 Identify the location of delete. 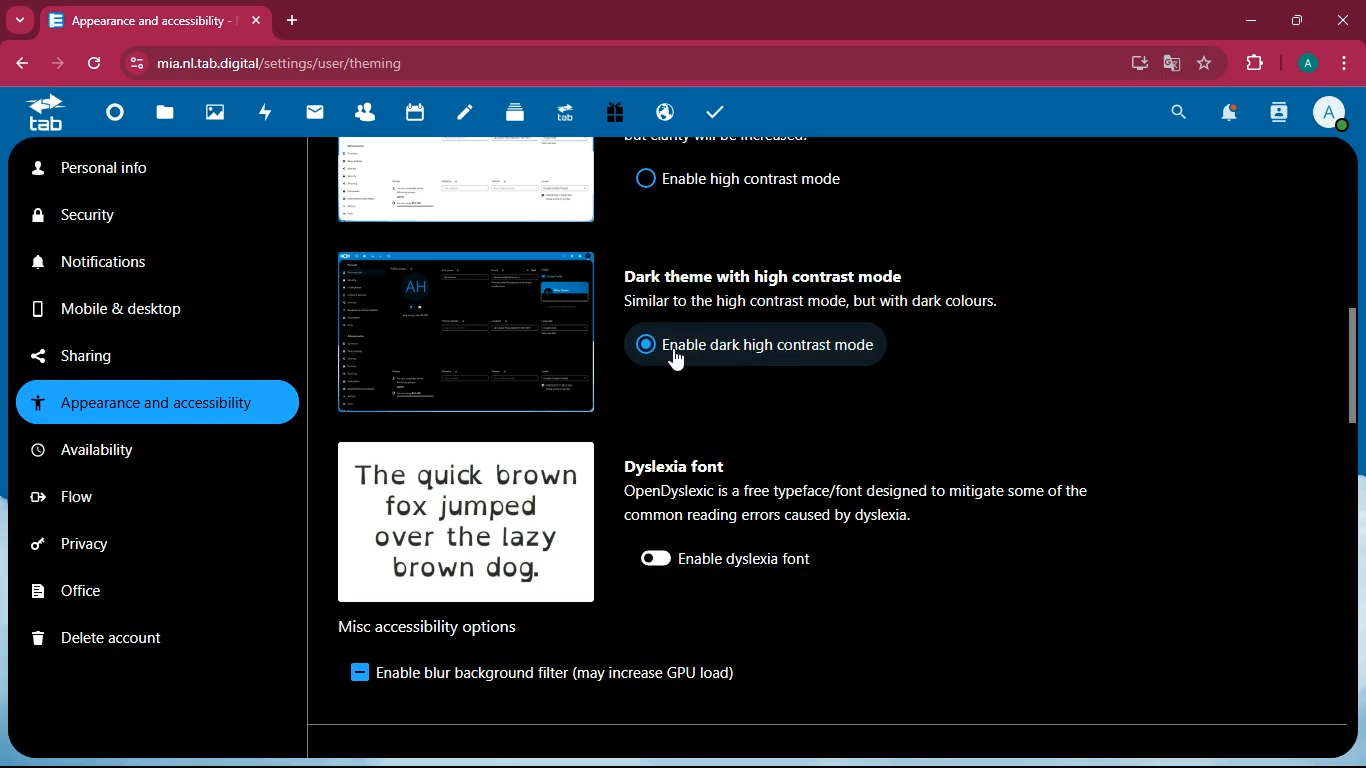
(117, 635).